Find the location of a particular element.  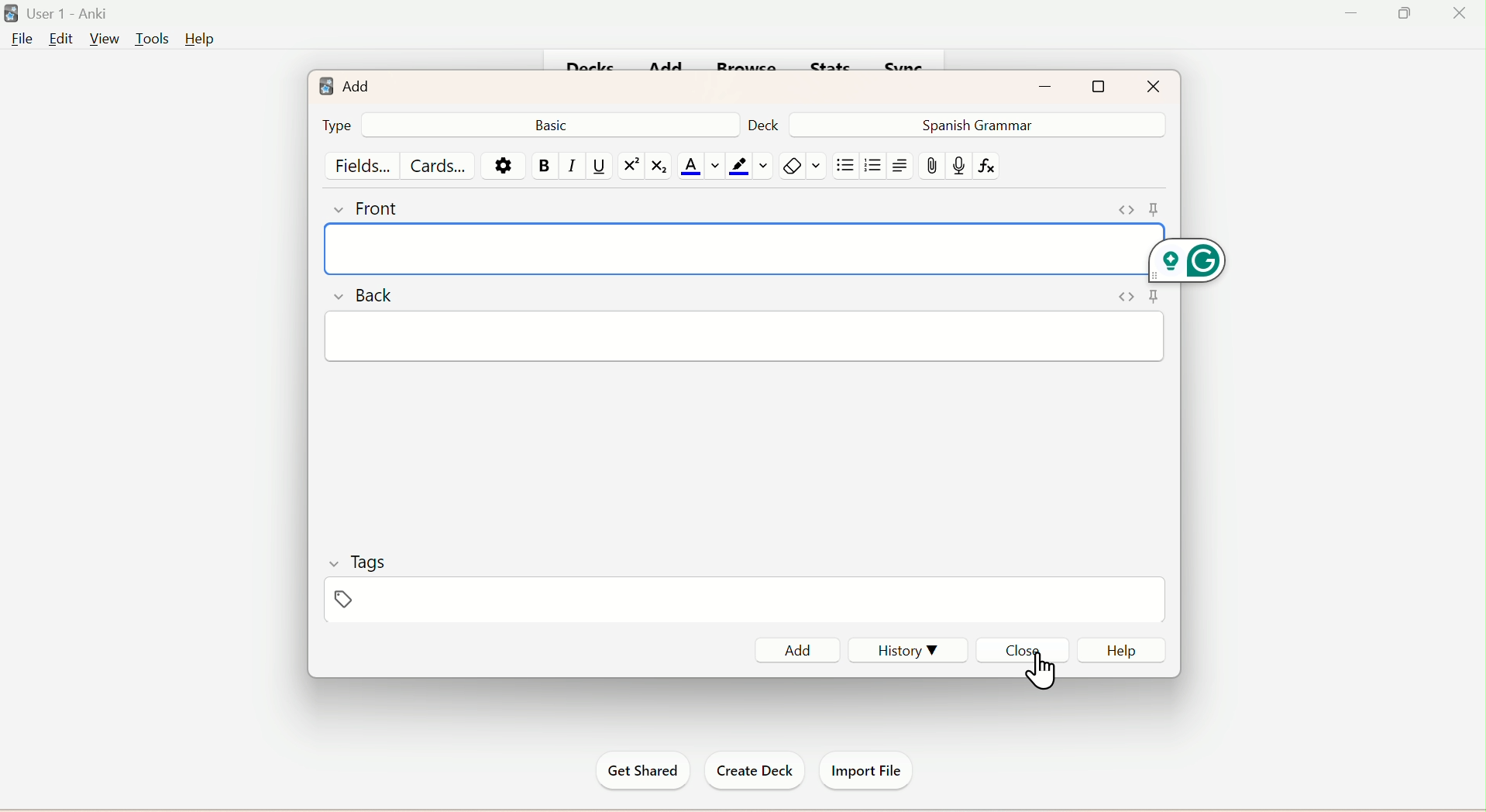

Text Color is located at coordinates (699, 167).